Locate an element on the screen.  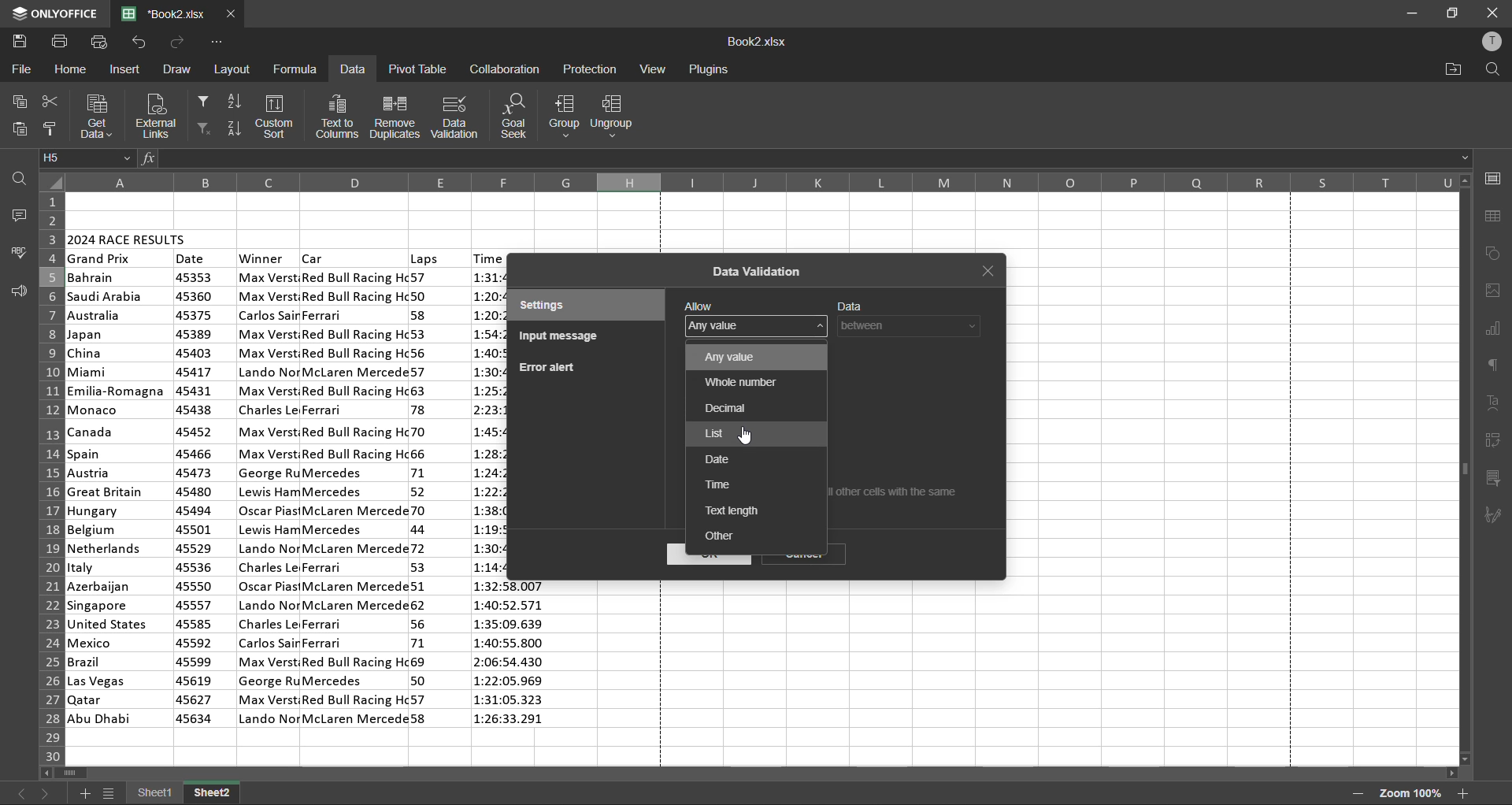
group is located at coordinates (561, 117).